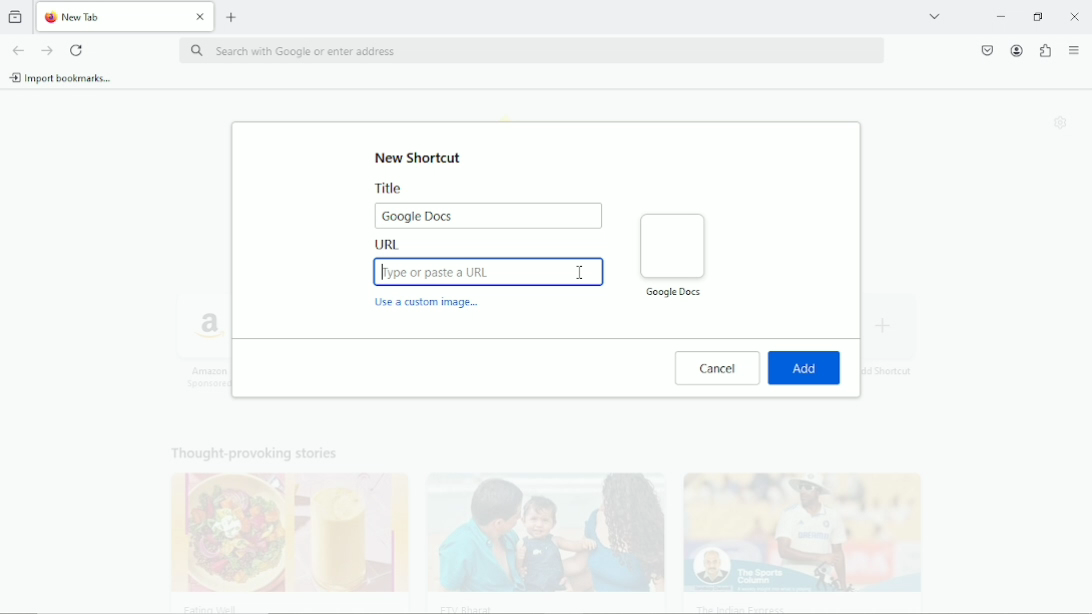  I want to click on open application menu, so click(1074, 51).